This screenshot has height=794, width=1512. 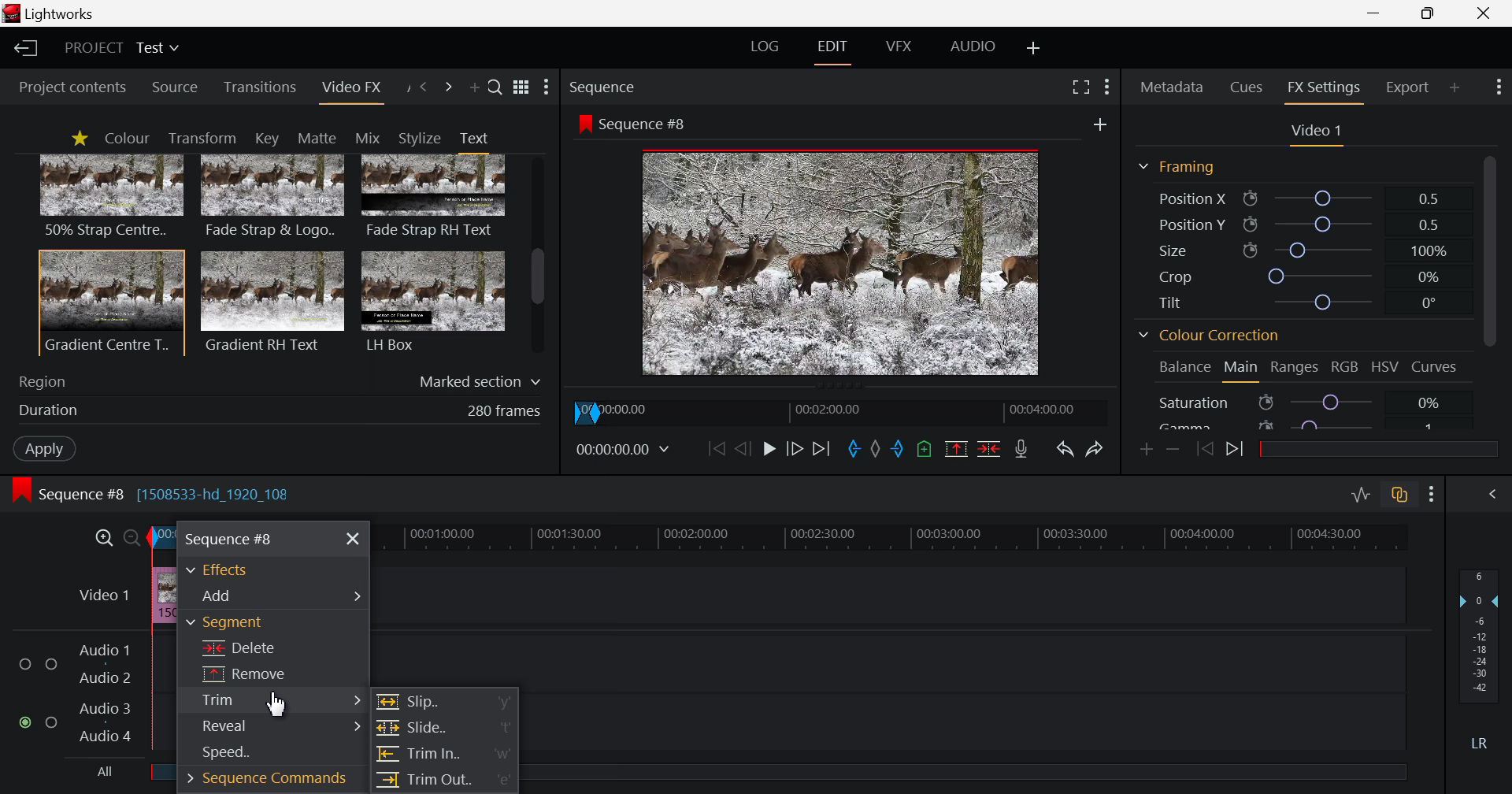 What do you see at coordinates (973, 687) in the screenshot?
I see `Audio Input Field` at bounding box center [973, 687].